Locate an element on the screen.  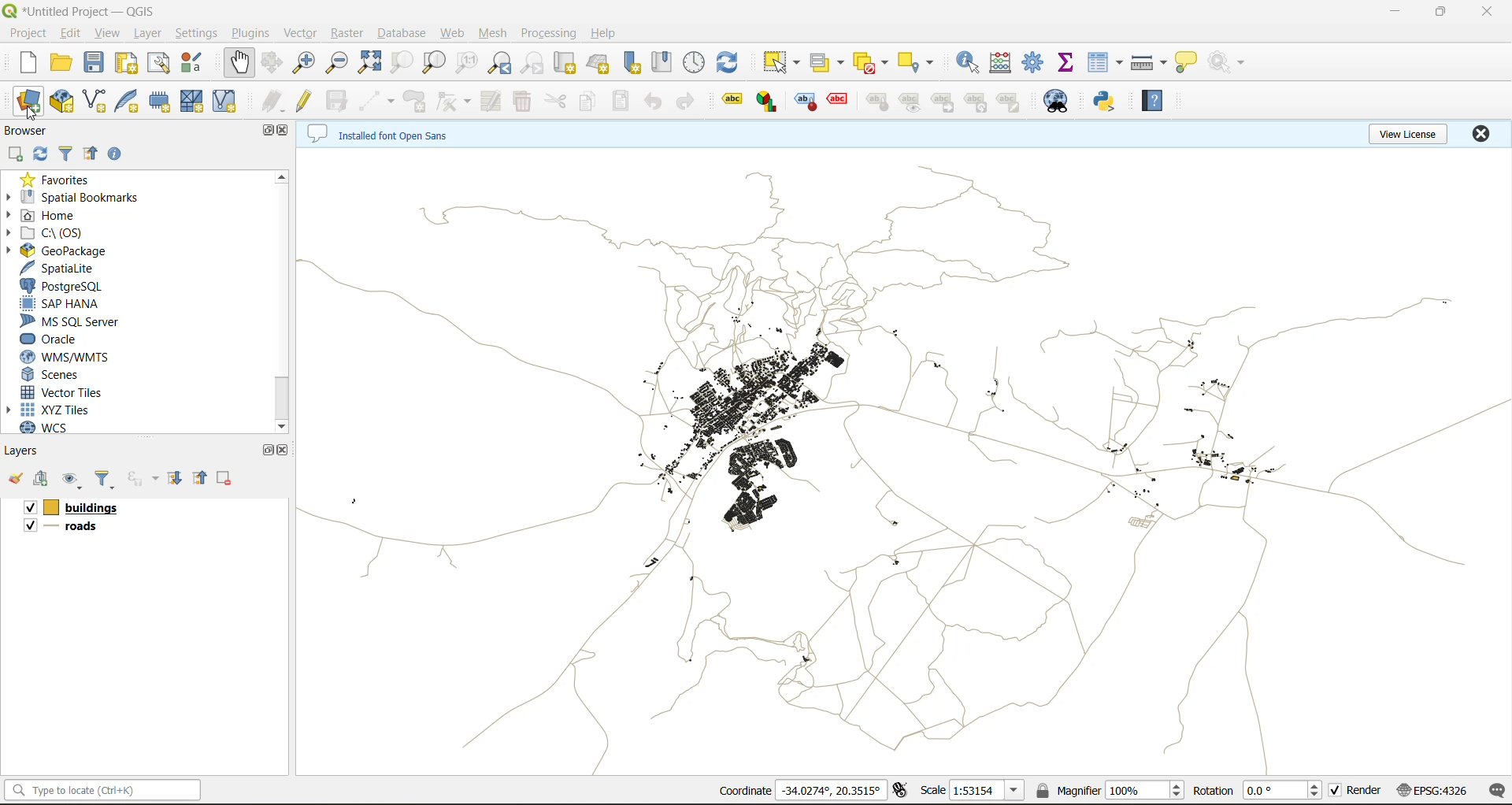
edits is located at coordinates (272, 103).